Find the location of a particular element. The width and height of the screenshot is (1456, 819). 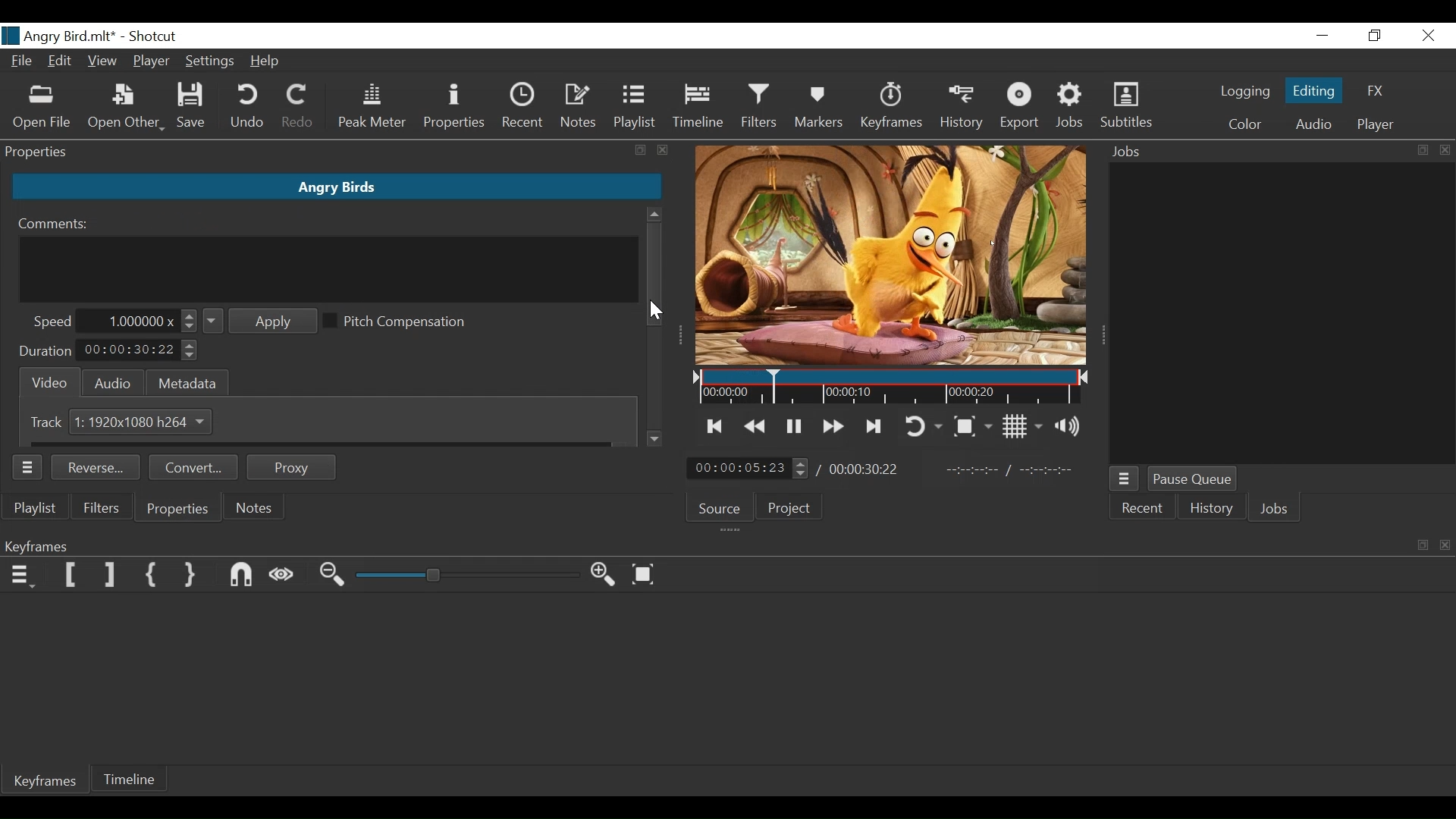

Peak Meter is located at coordinates (371, 108).